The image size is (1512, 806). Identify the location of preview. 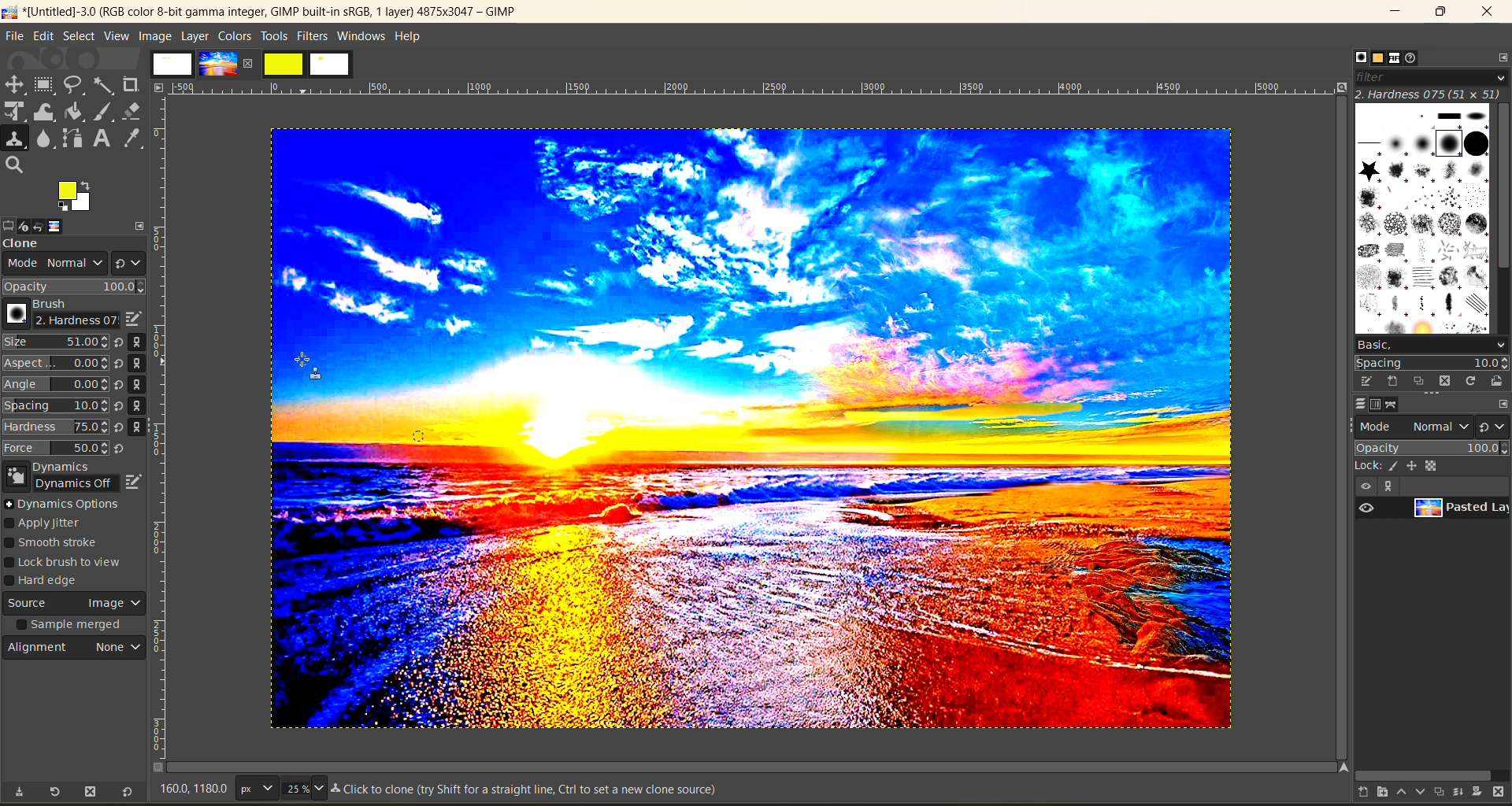
(1369, 508).